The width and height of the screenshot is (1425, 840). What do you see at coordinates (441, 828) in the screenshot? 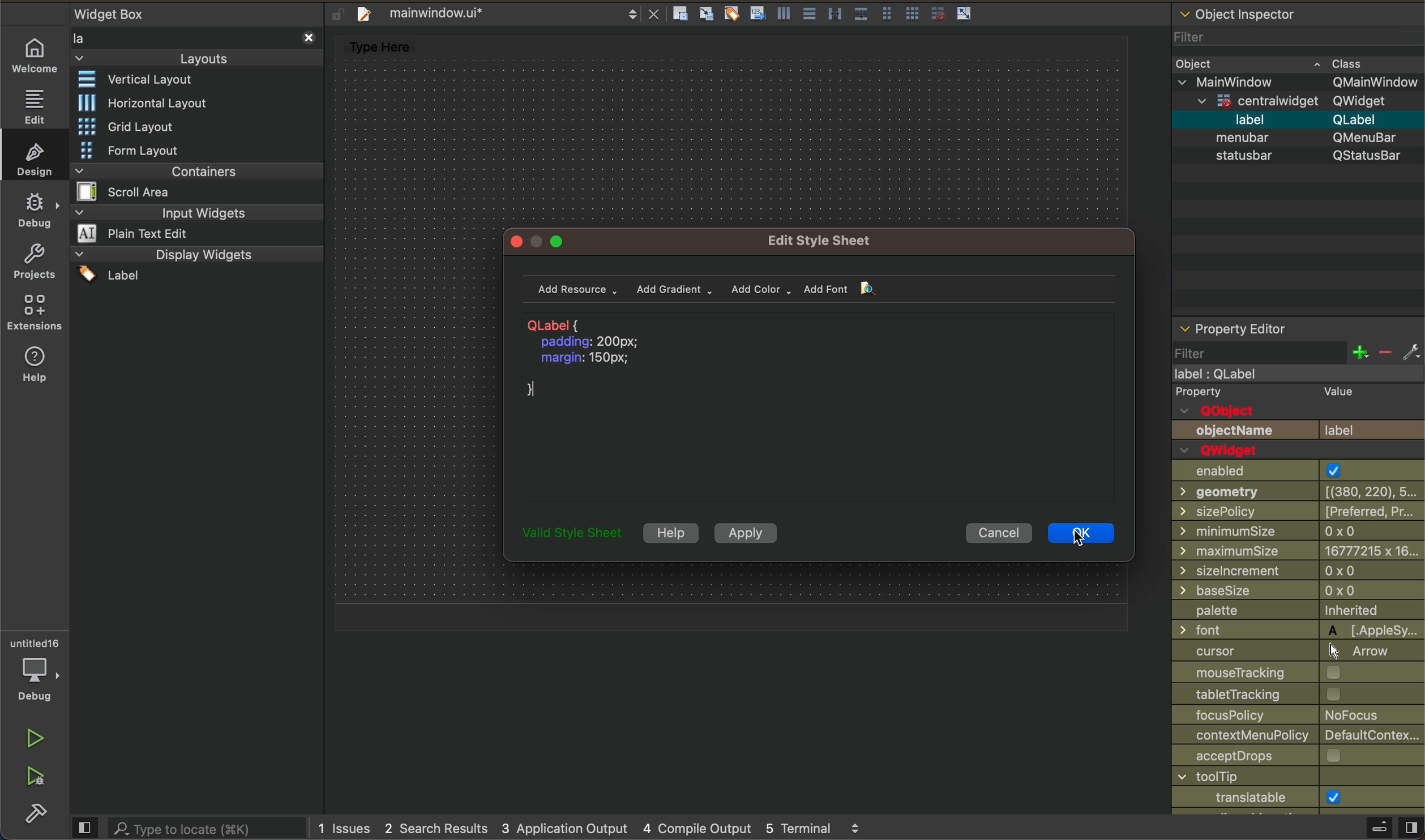
I see `2 search result` at bounding box center [441, 828].